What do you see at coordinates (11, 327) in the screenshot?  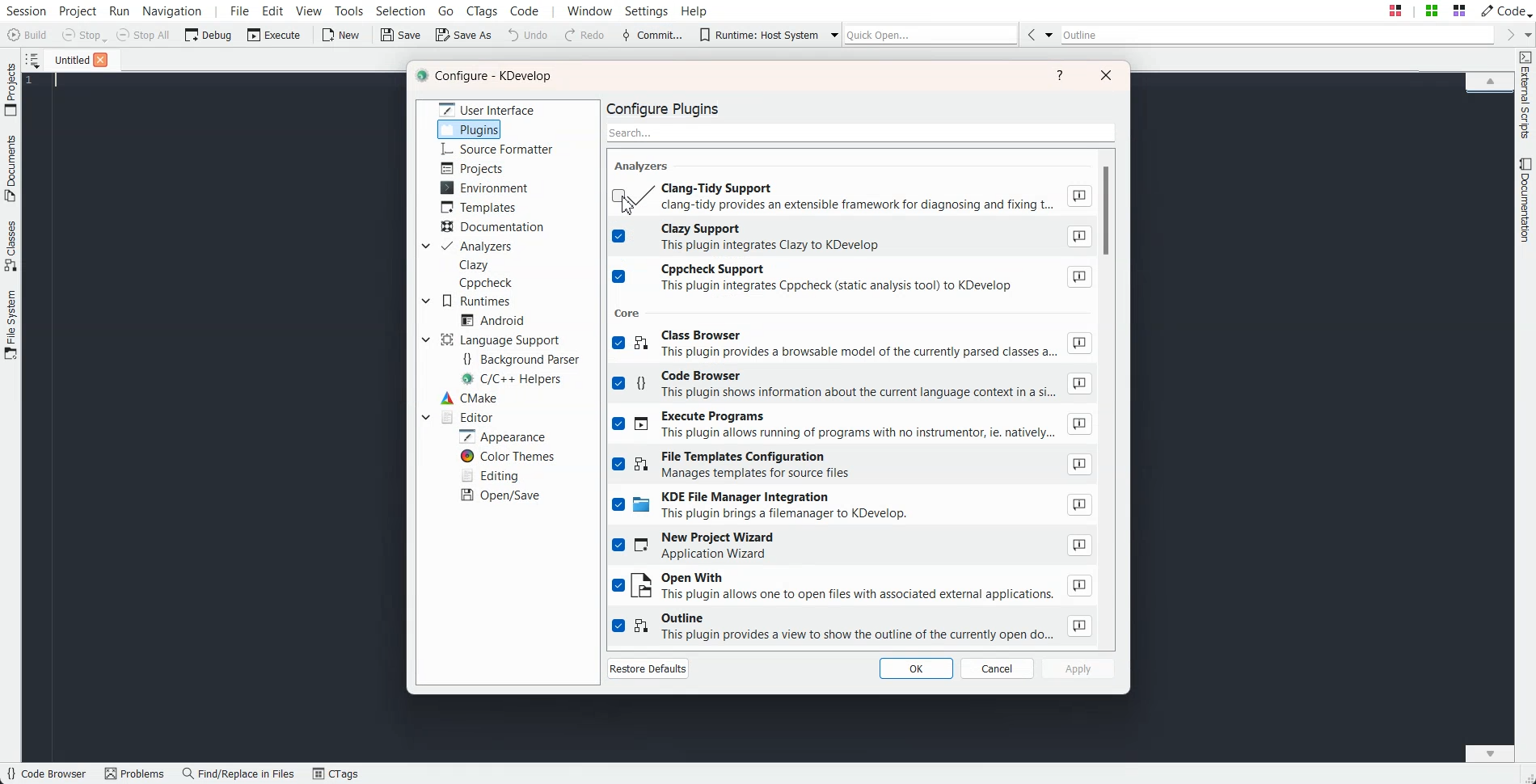 I see `File System` at bounding box center [11, 327].